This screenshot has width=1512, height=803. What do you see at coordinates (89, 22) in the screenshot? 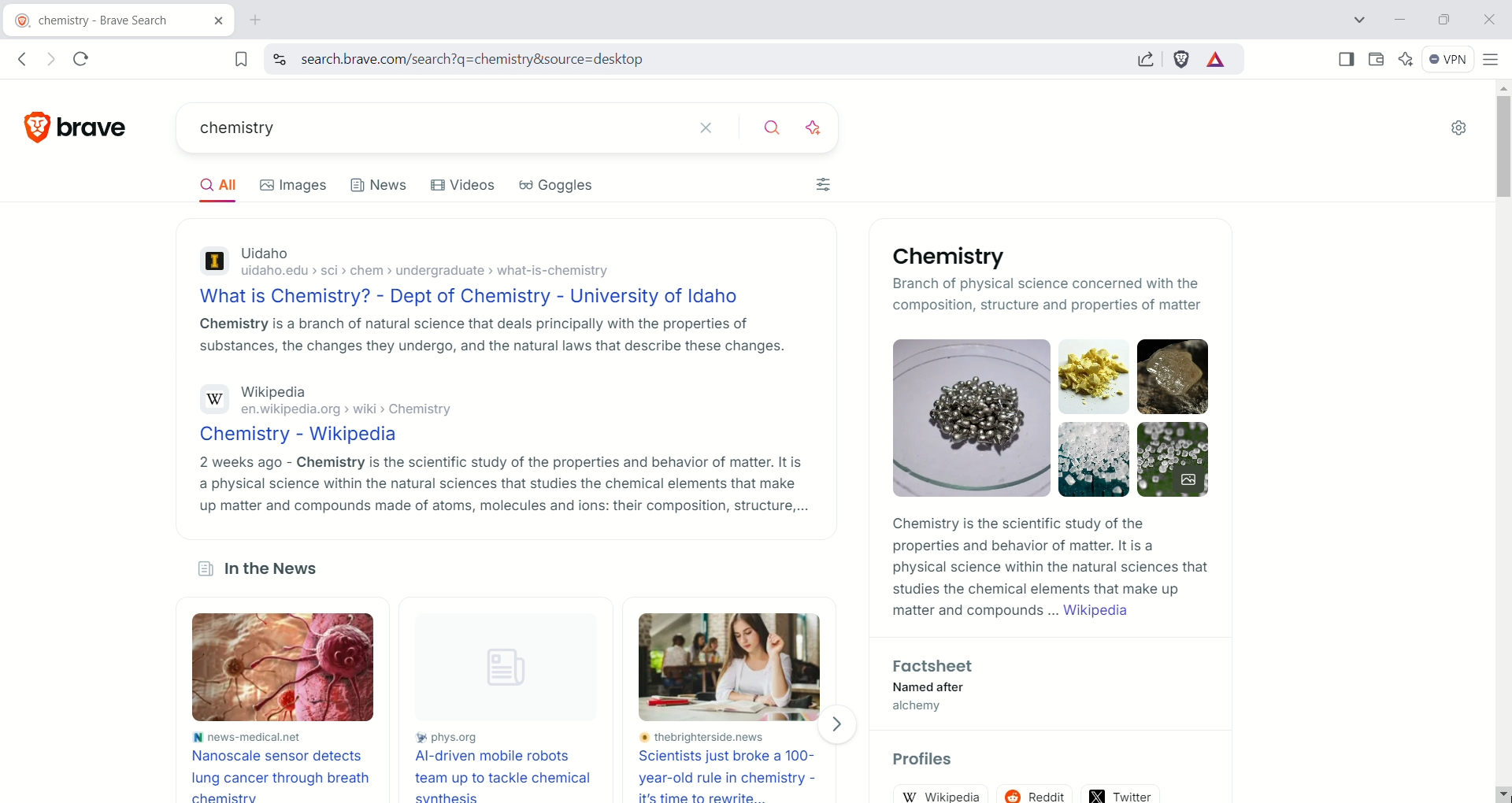
I see `chemistry - brave search` at bounding box center [89, 22].